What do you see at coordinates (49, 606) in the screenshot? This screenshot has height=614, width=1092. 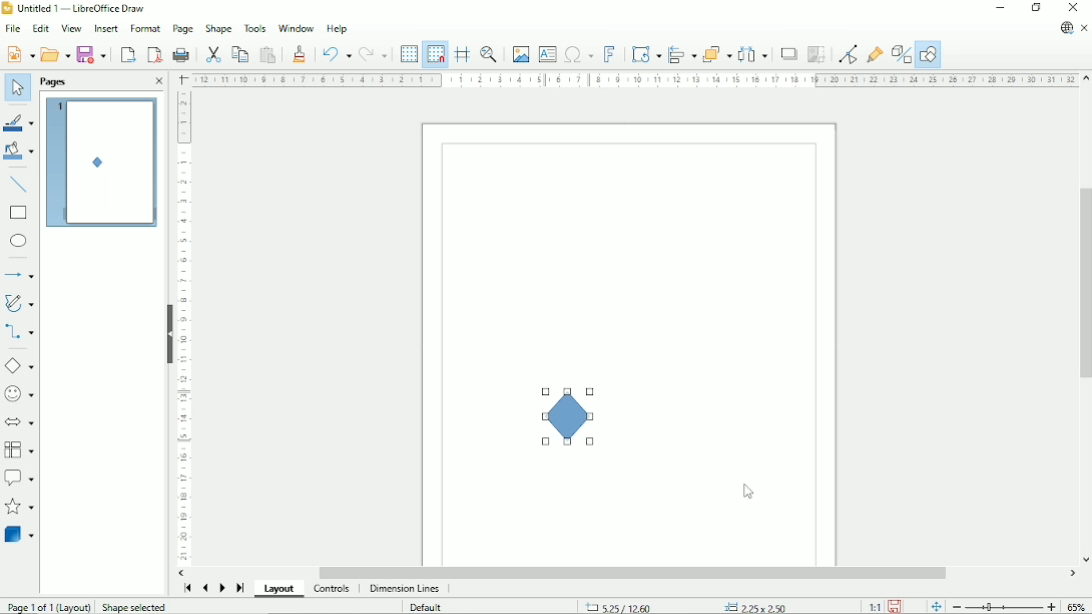 I see `Page 1 of 1 (Layout)` at bounding box center [49, 606].